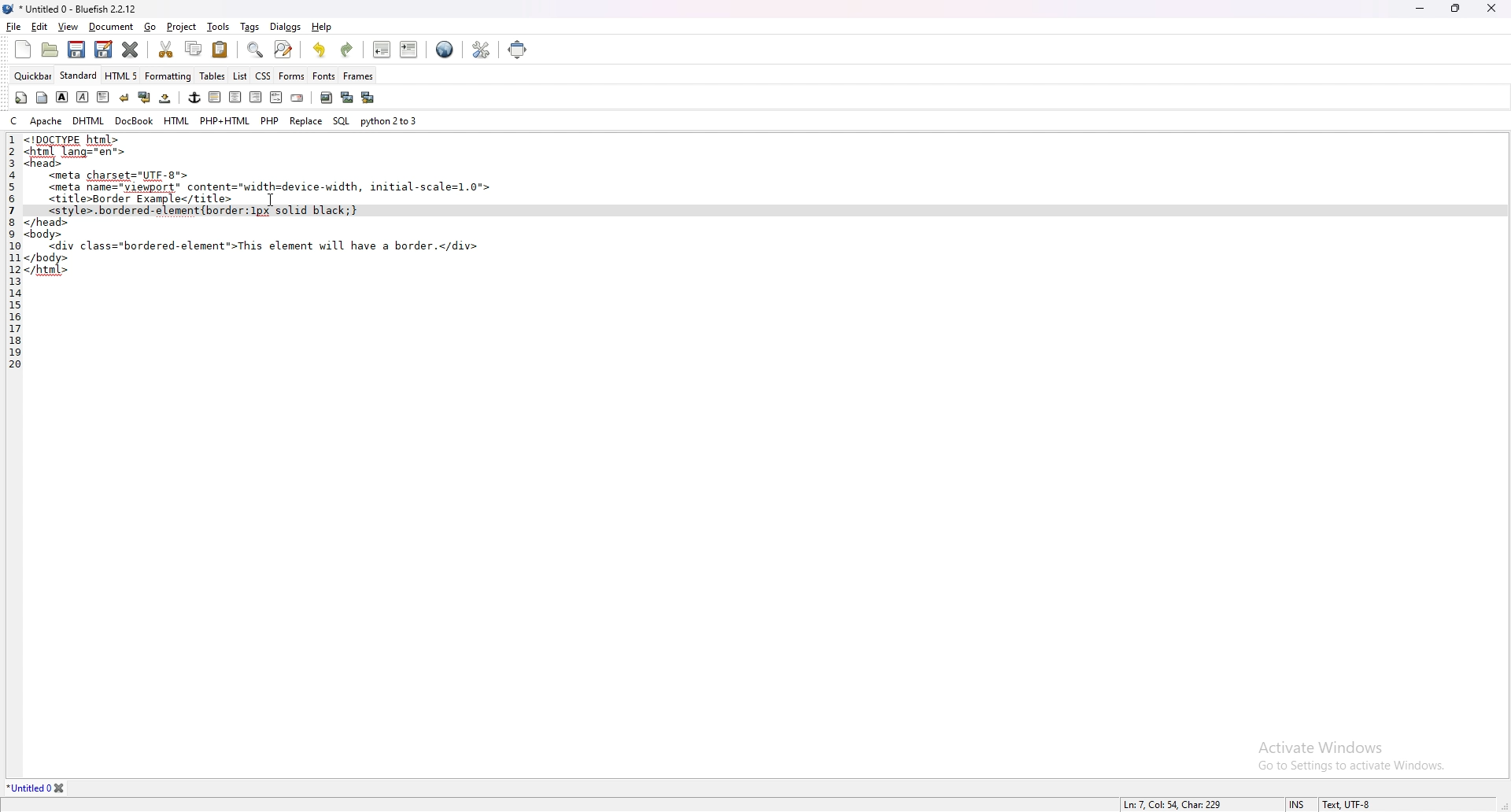 Image resolution: width=1511 pixels, height=812 pixels. What do you see at coordinates (124, 98) in the screenshot?
I see `break` at bounding box center [124, 98].